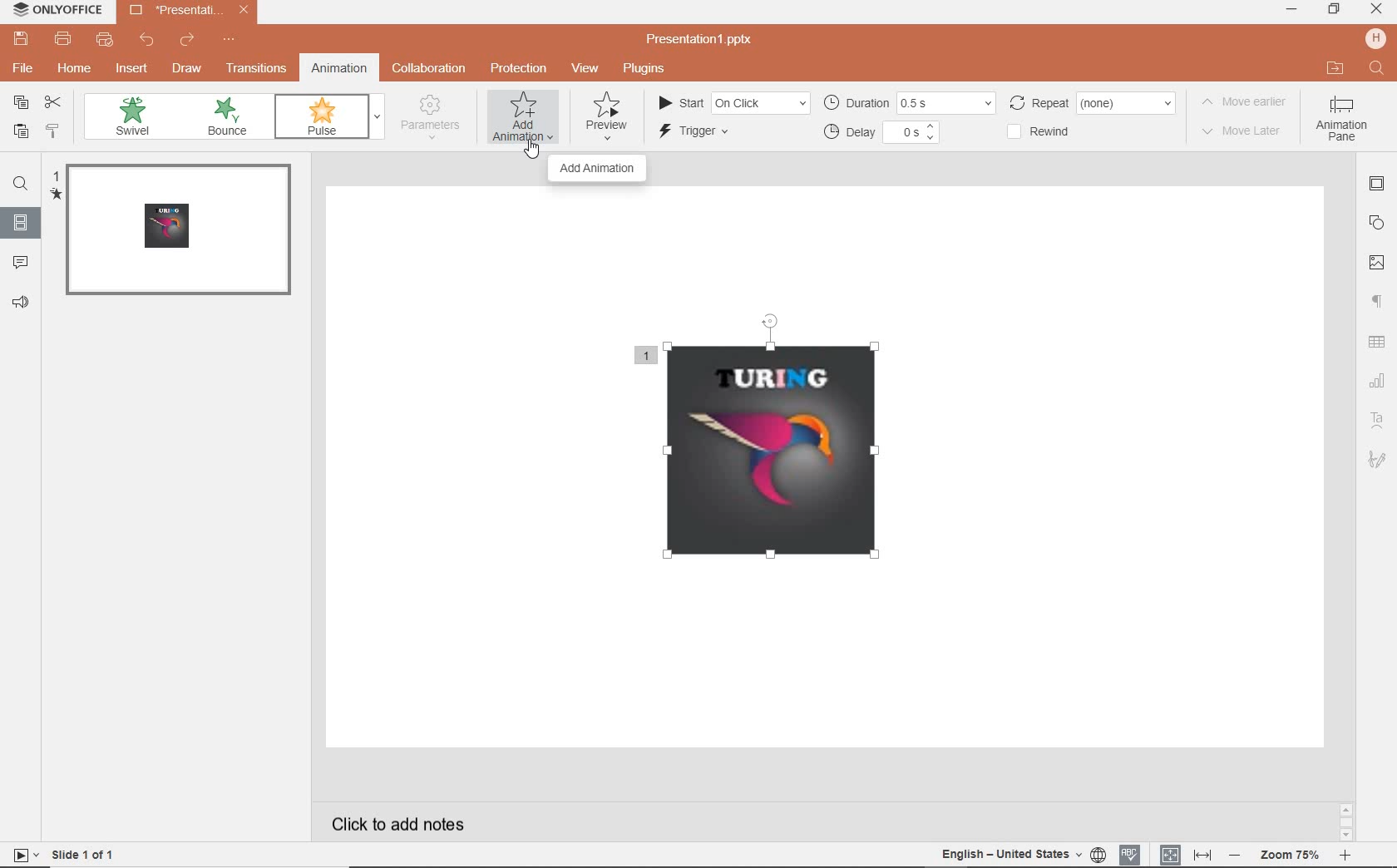  I want to click on spell checking, so click(1130, 855).